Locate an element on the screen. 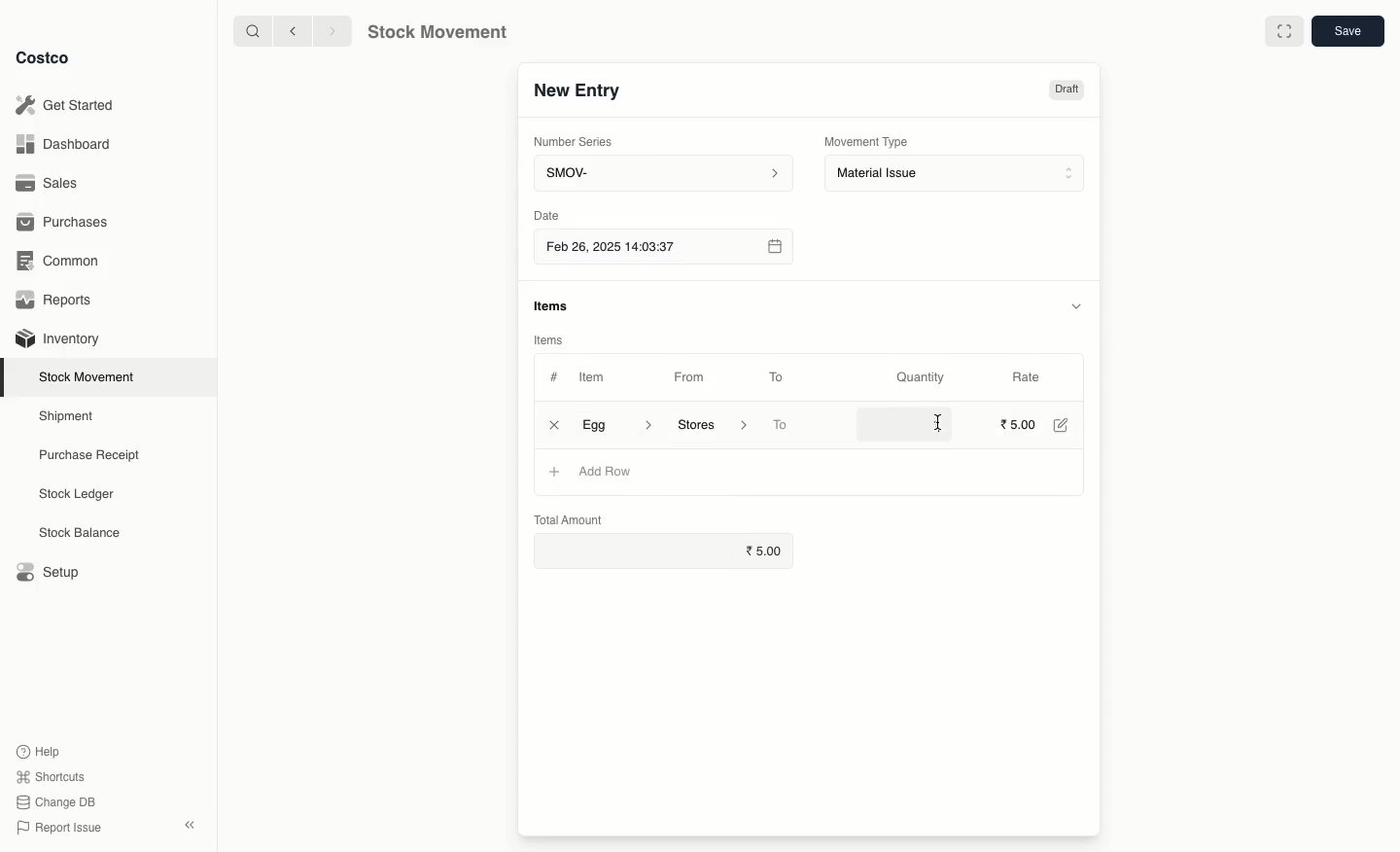 Image resolution: width=1400 pixels, height=852 pixels. save is located at coordinates (1347, 30).